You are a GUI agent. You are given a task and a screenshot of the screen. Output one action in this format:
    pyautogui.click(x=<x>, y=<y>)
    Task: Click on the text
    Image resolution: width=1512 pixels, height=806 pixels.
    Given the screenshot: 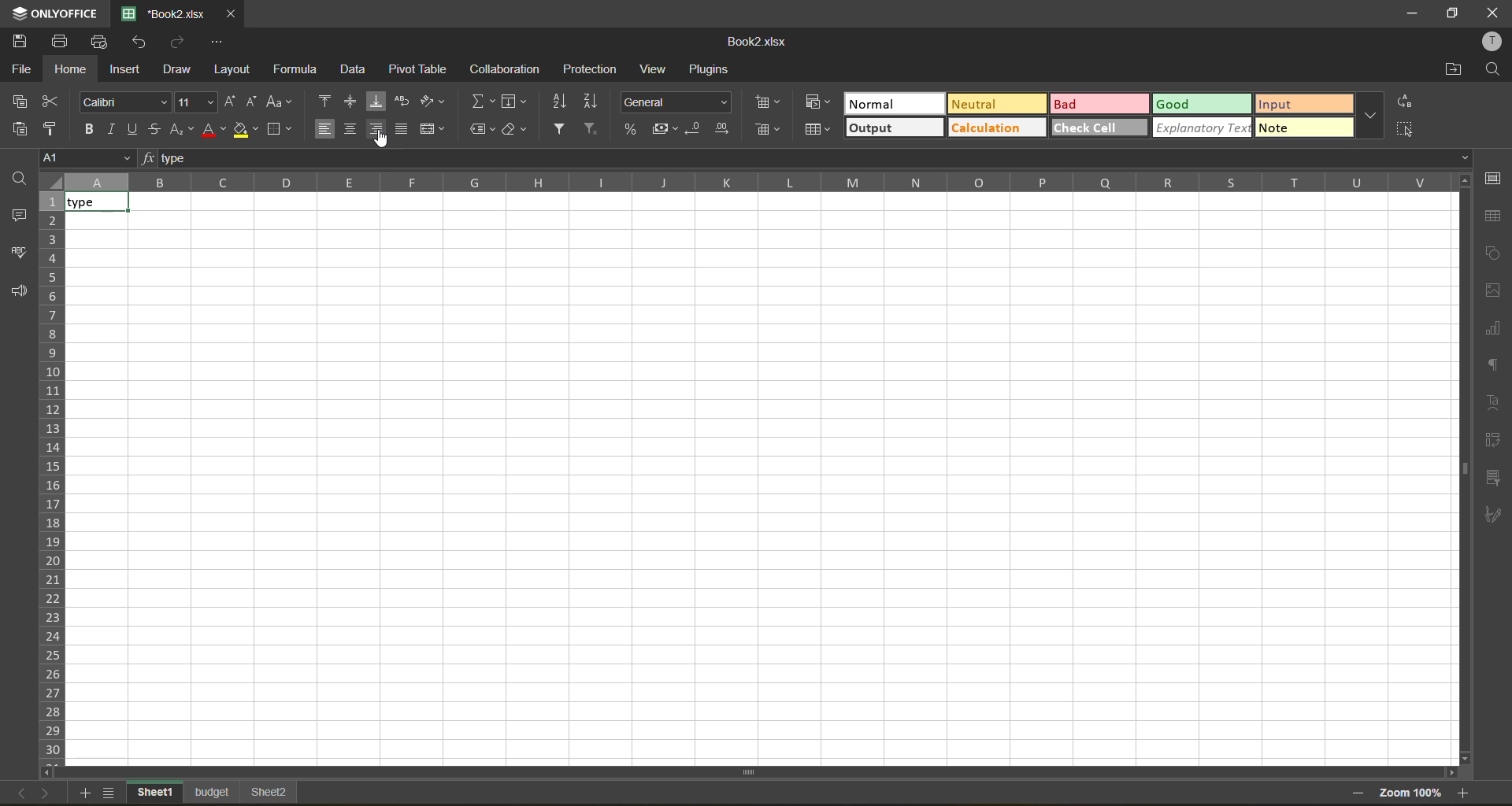 What is the action you would take?
    pyautogui.click(x=1495, y=402)
    